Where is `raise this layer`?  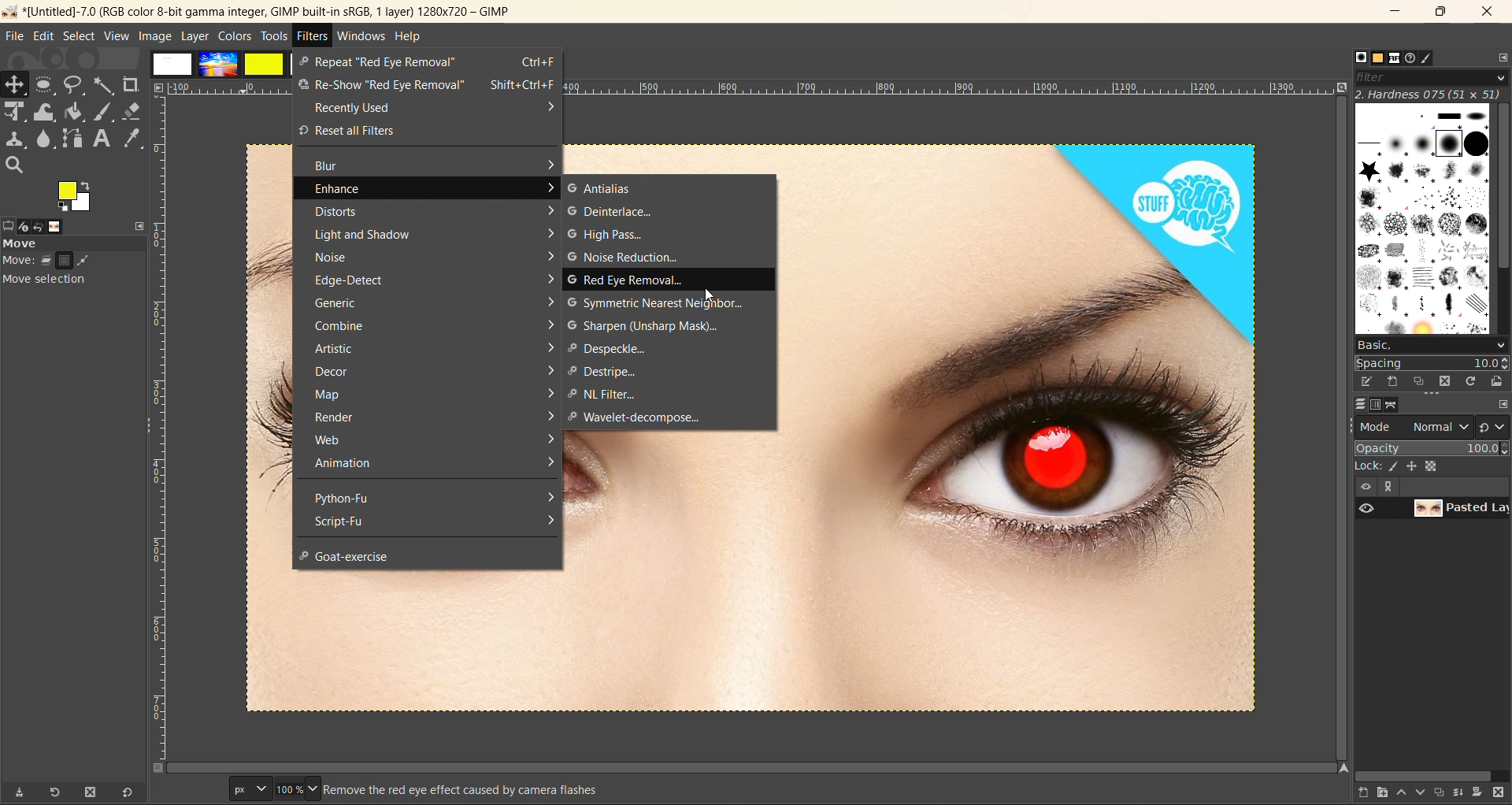
raise this layer is located at coordinates (1397, 793).